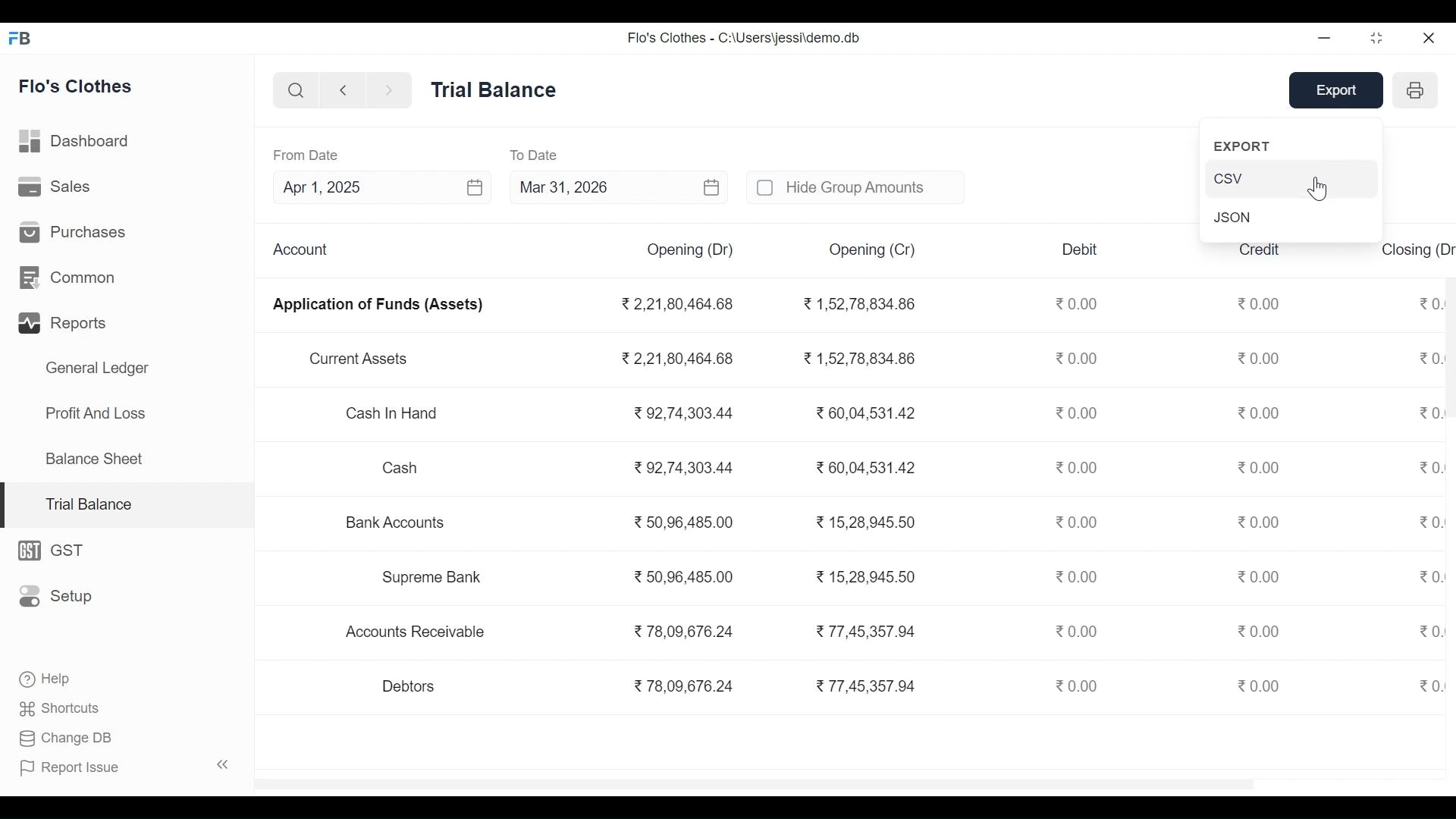 The image size is (1456, 819). Describe the element at coordinates (857, 304) in the screenshot. I see `1,52,78,834.86` at that location.